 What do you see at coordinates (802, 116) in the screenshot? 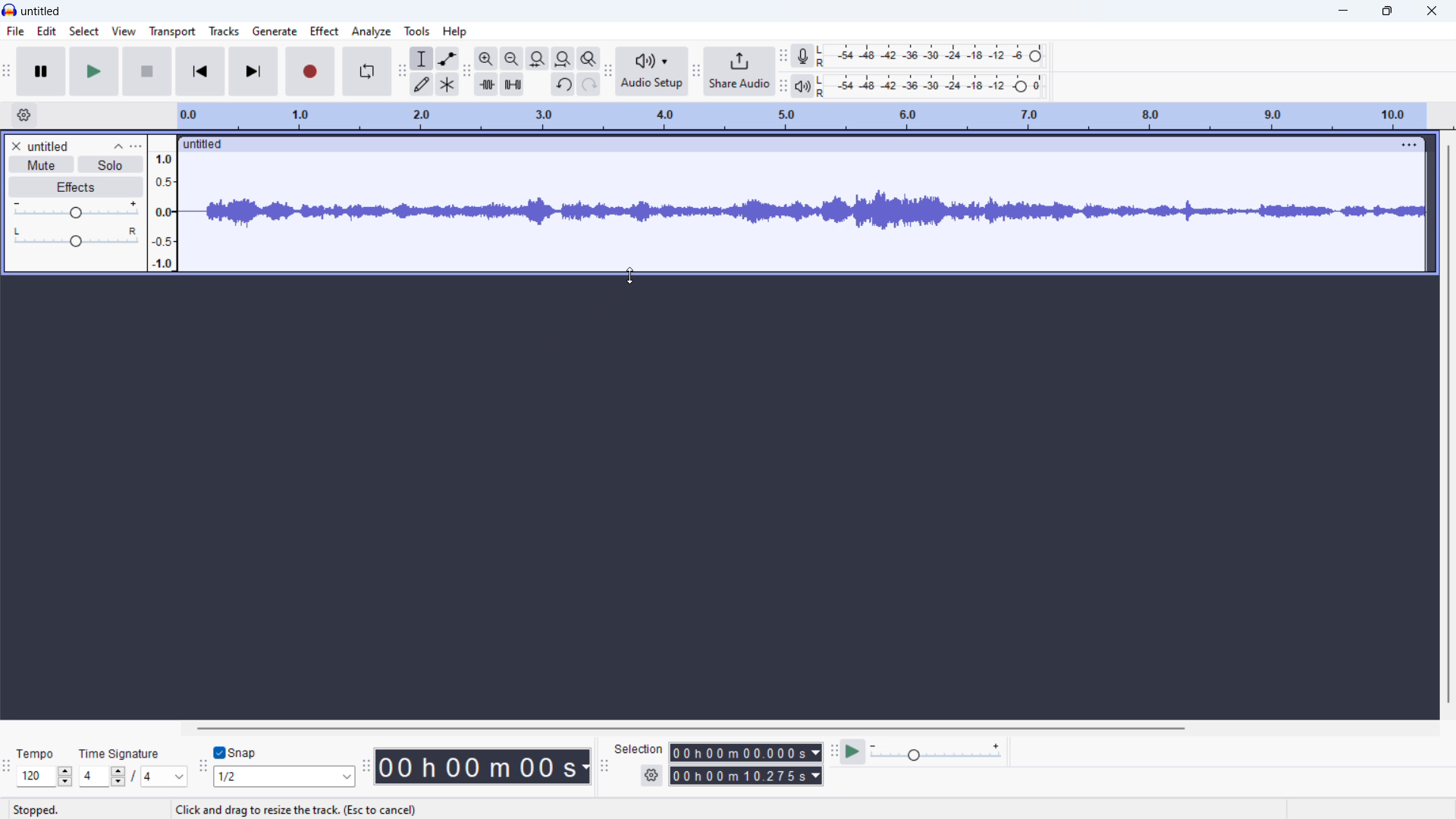
I see `timeline` at bounding box center [802, 116].